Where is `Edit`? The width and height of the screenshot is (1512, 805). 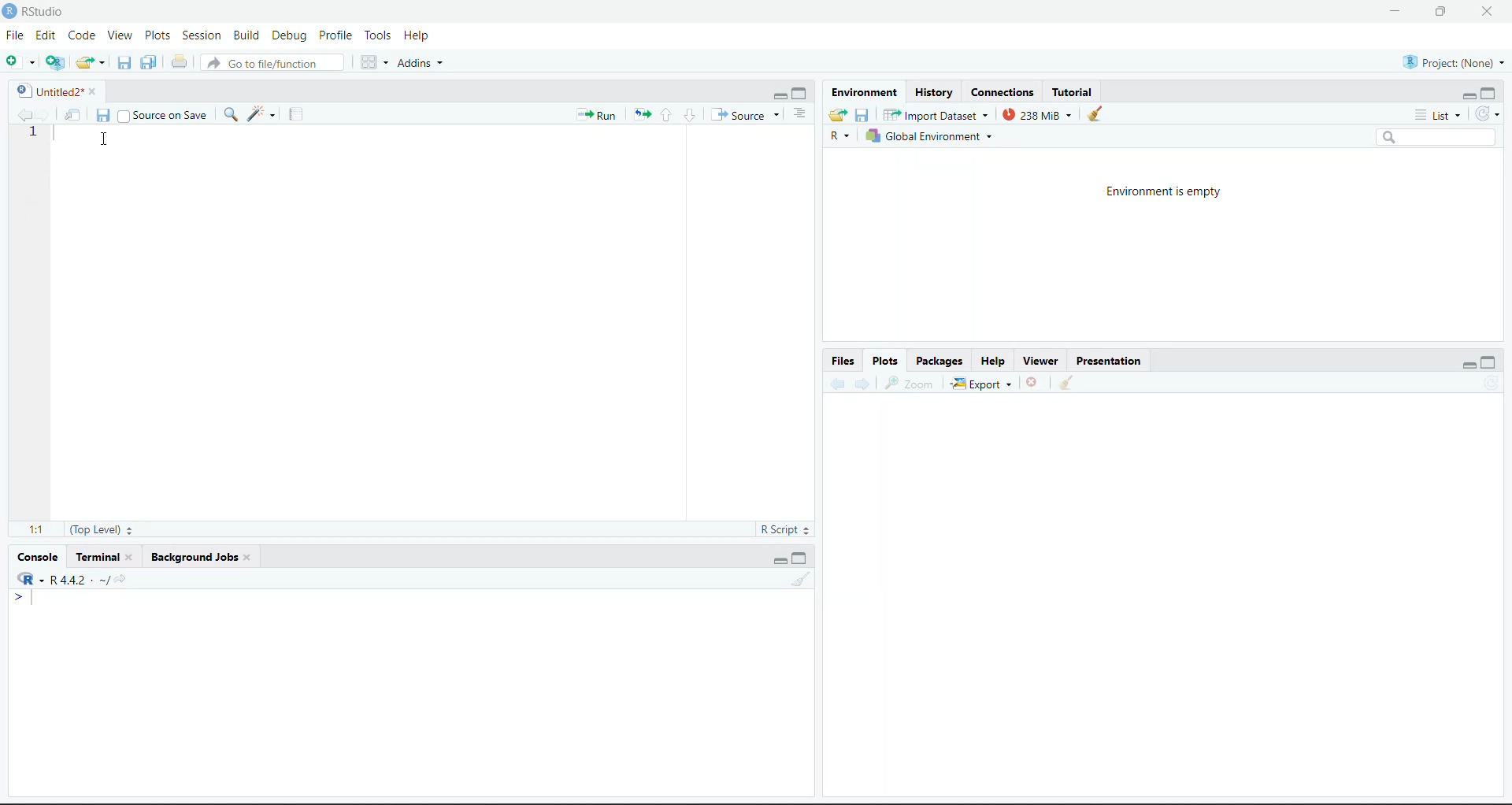
Edit is located at coordinates (46, 35).